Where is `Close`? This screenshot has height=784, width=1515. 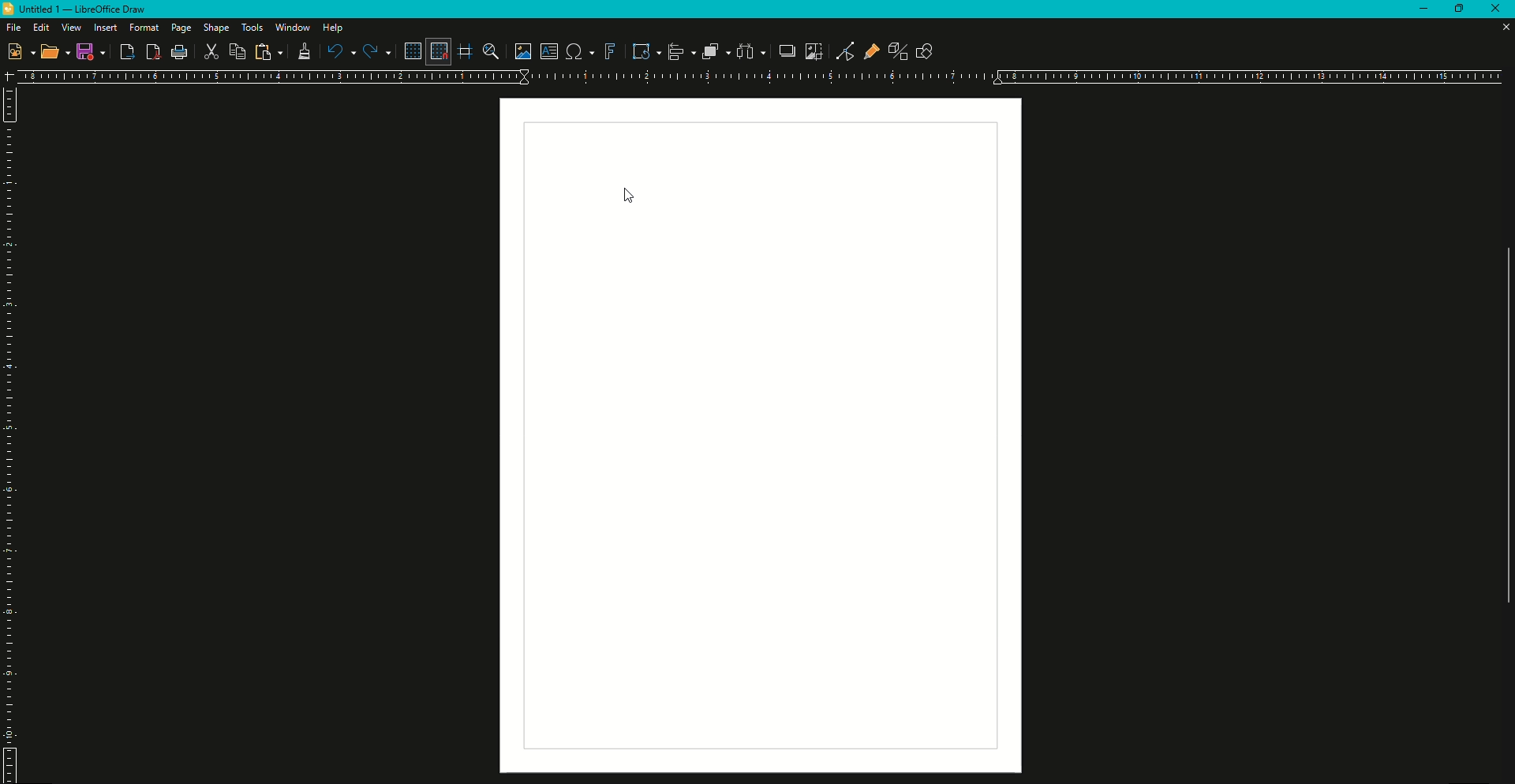 Close is located at coordinates (1504, 28).